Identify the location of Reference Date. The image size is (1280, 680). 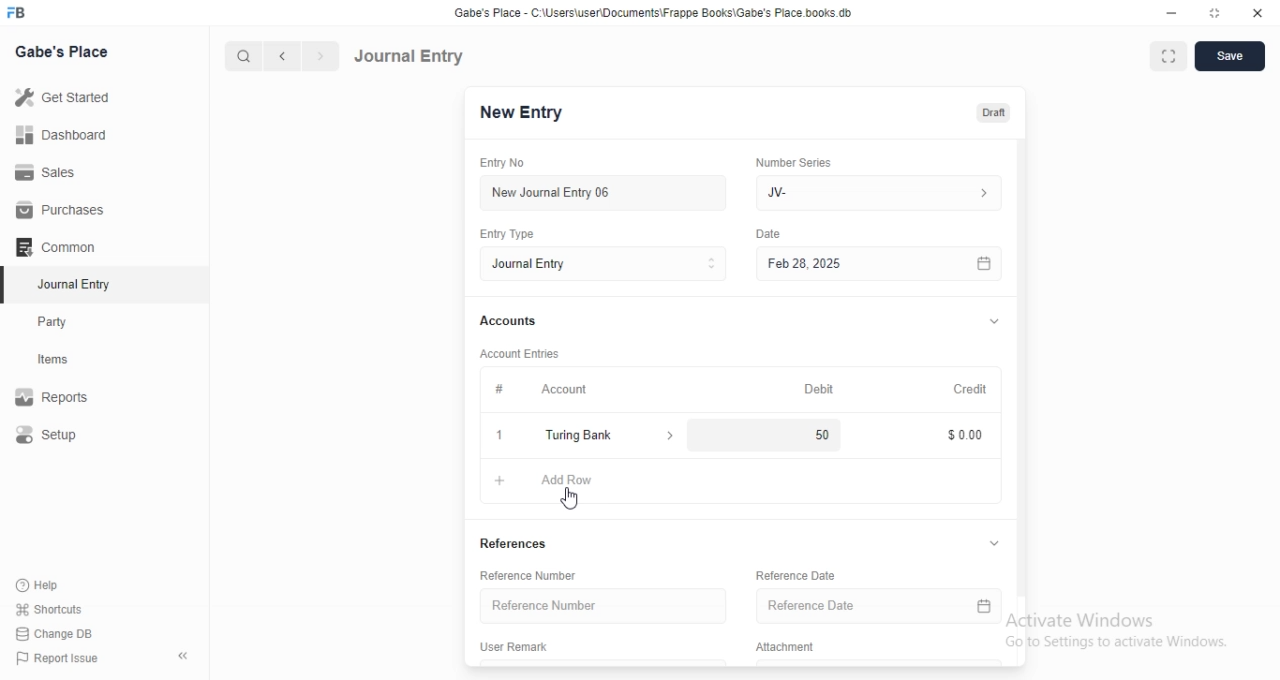
(856, 608).